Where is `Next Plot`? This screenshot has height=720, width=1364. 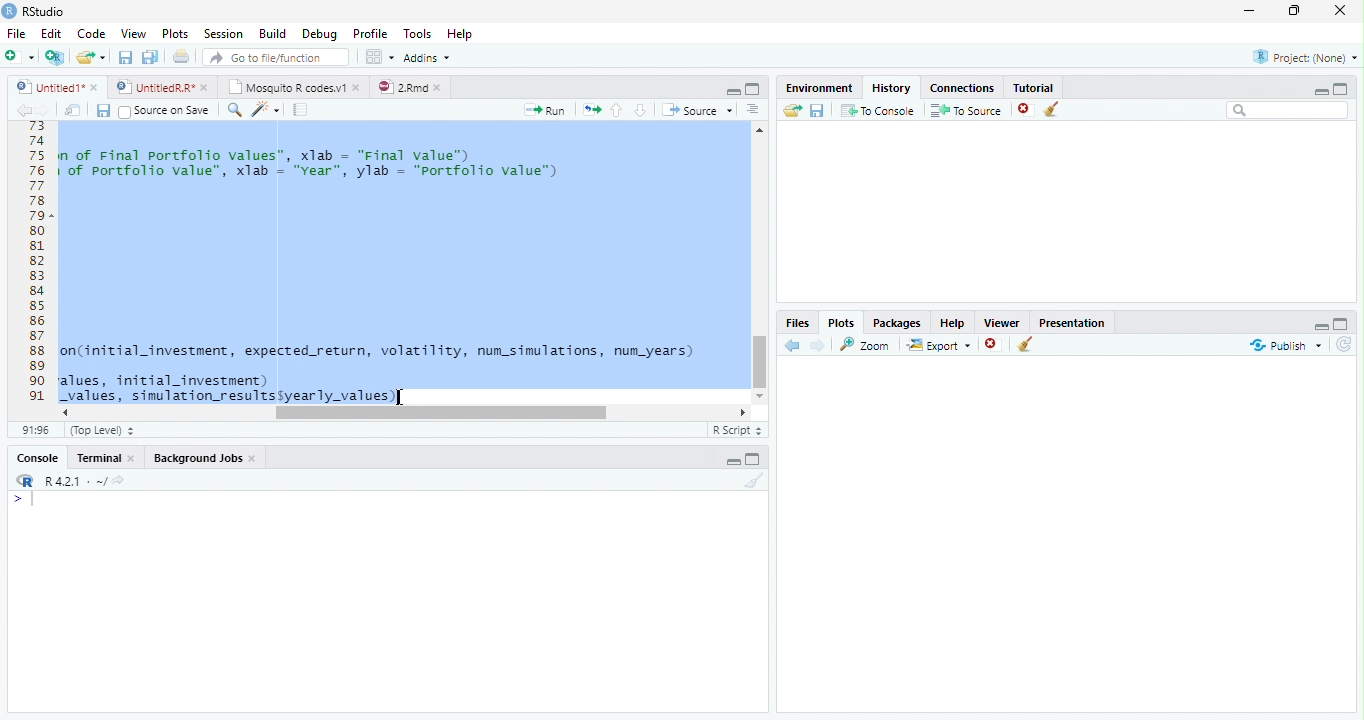
Next Plot is located at coordinates (818, 345).